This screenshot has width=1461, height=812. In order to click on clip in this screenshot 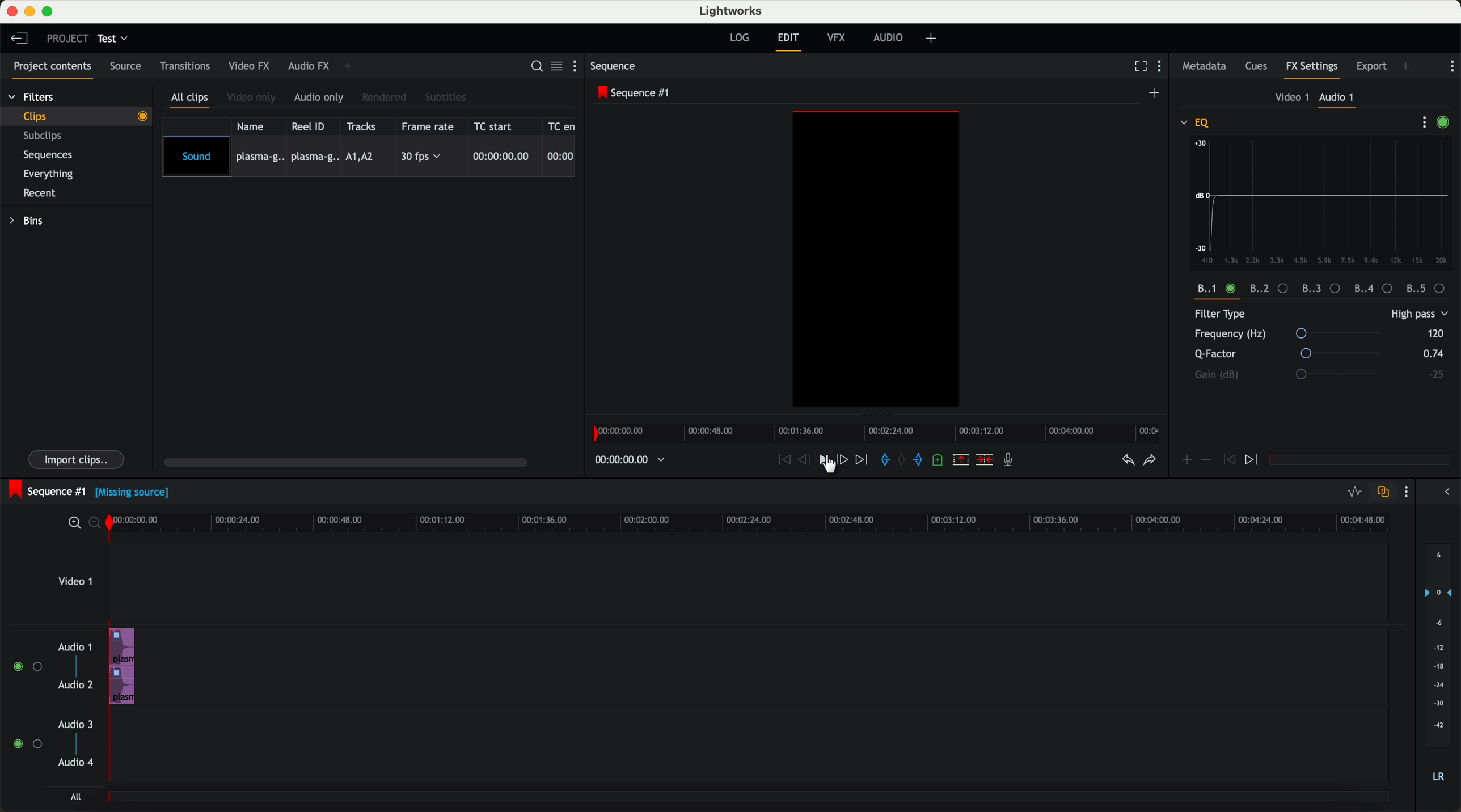, I will do `click(83, 116)`.